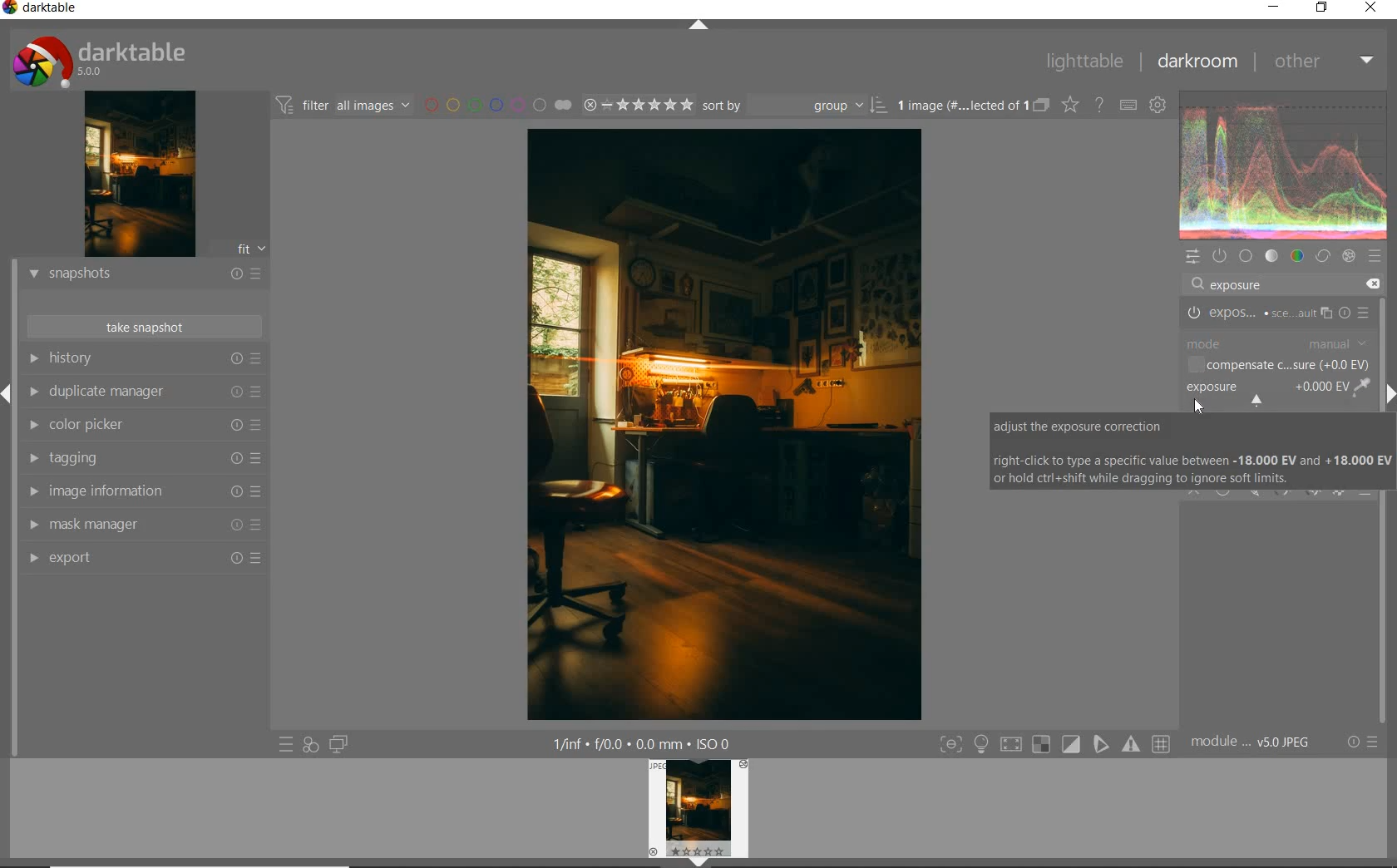 The width and height of the screenshot is (1397, 868). I want to click on waveform, so click(1286, 165).